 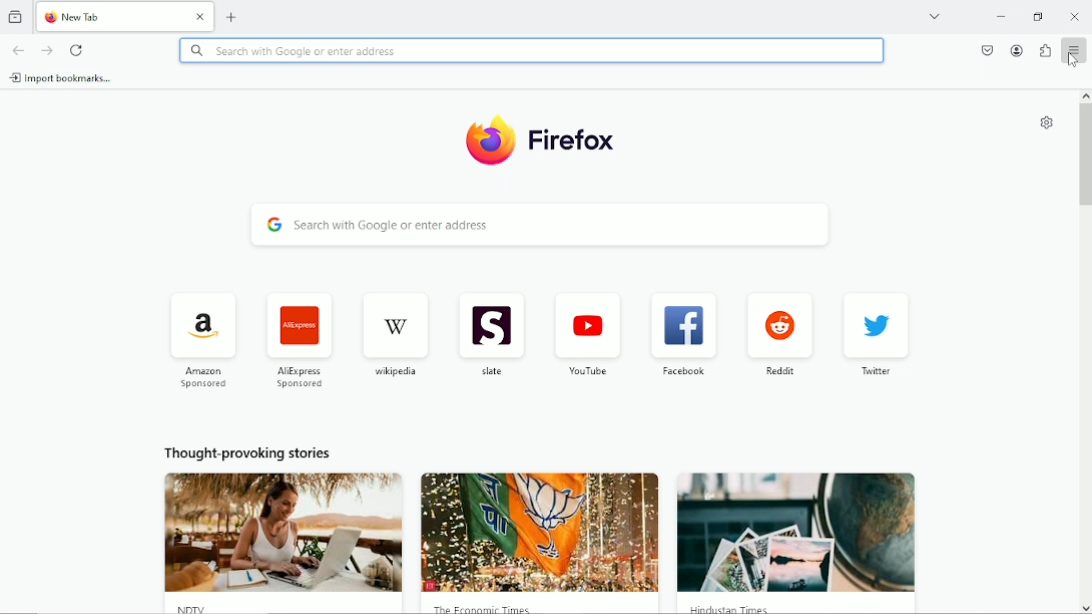 What do you see at coordinates (932, 16) in the screenshot?
I see `list all tabs` at bounding box center [932, 16].